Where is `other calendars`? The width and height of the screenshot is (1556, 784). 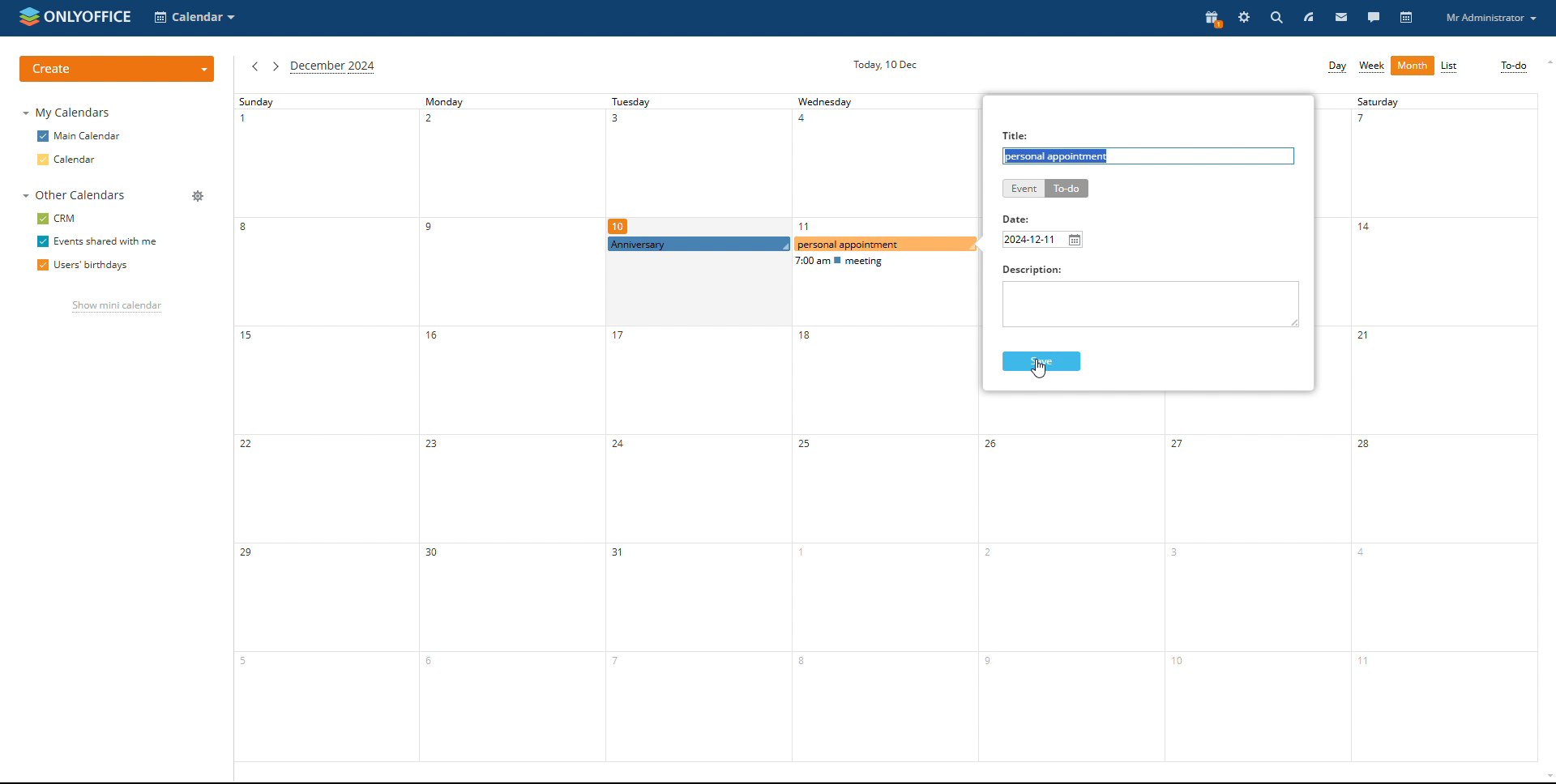 other calendars is located at coordinates (74, 195).